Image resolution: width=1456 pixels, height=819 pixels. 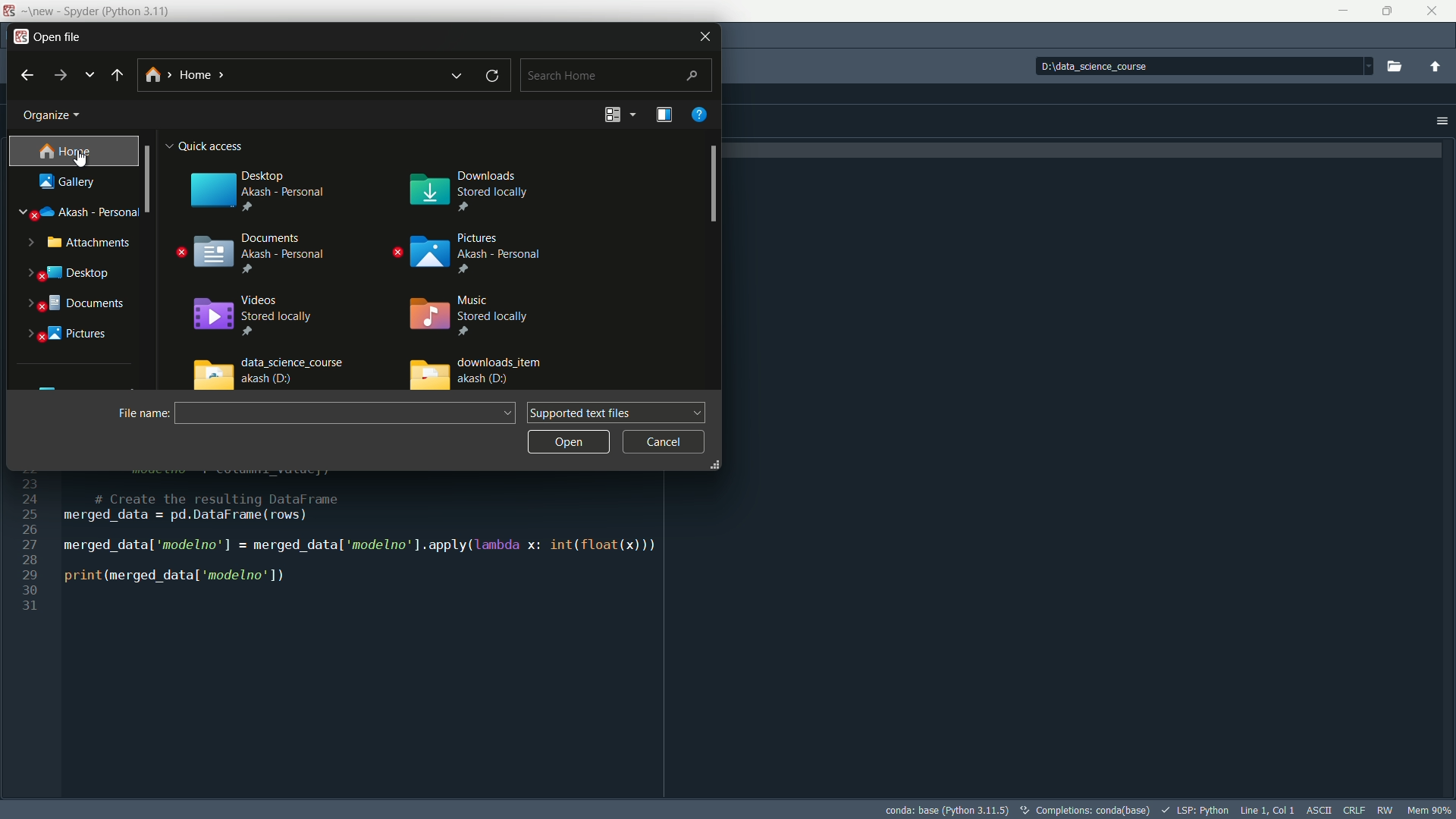 What do you see at coordinates (29, 305) in the screenshot?
I see `expand` at bounding box center [29, 305].